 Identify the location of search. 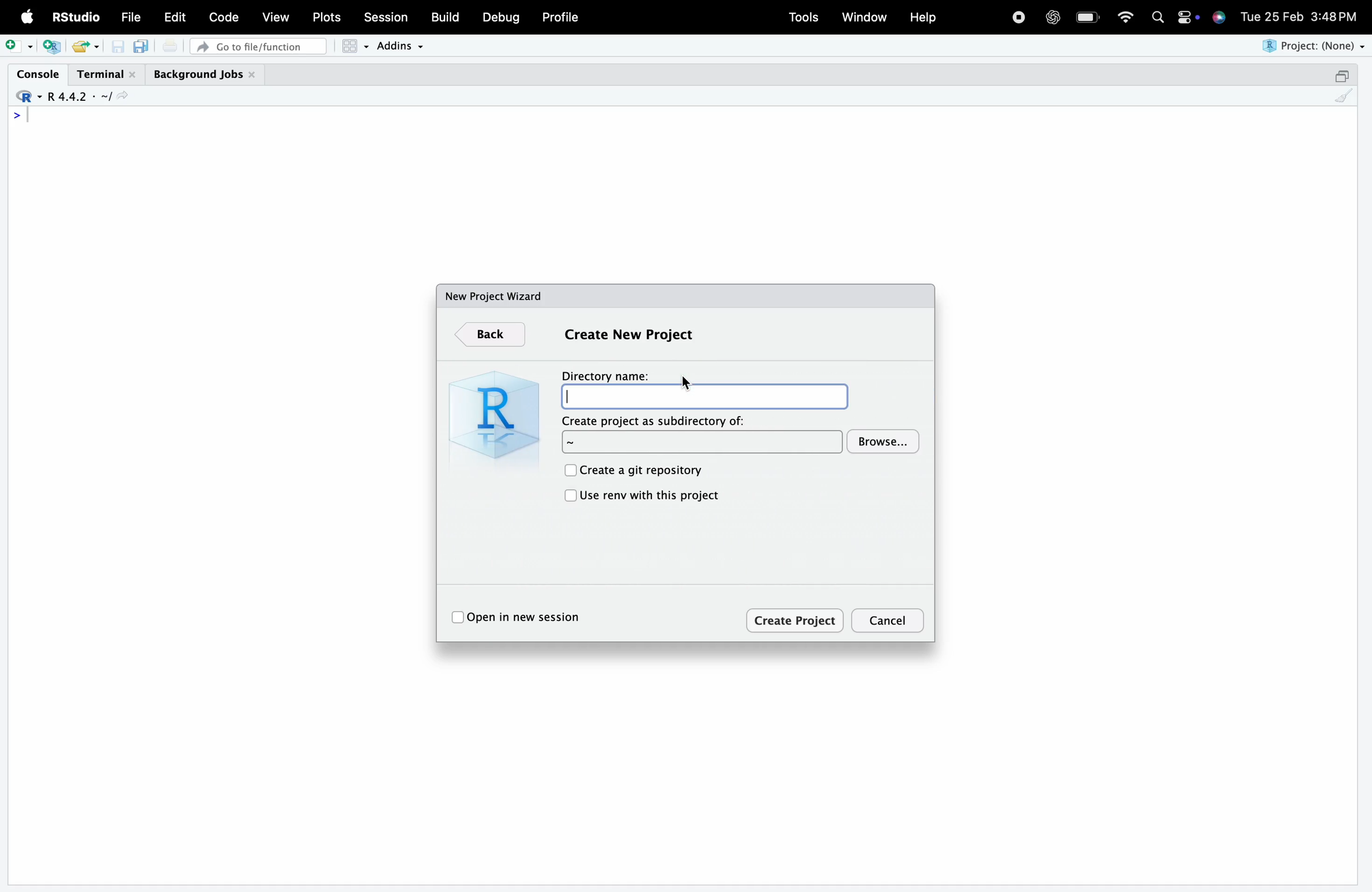
(1158, 17).